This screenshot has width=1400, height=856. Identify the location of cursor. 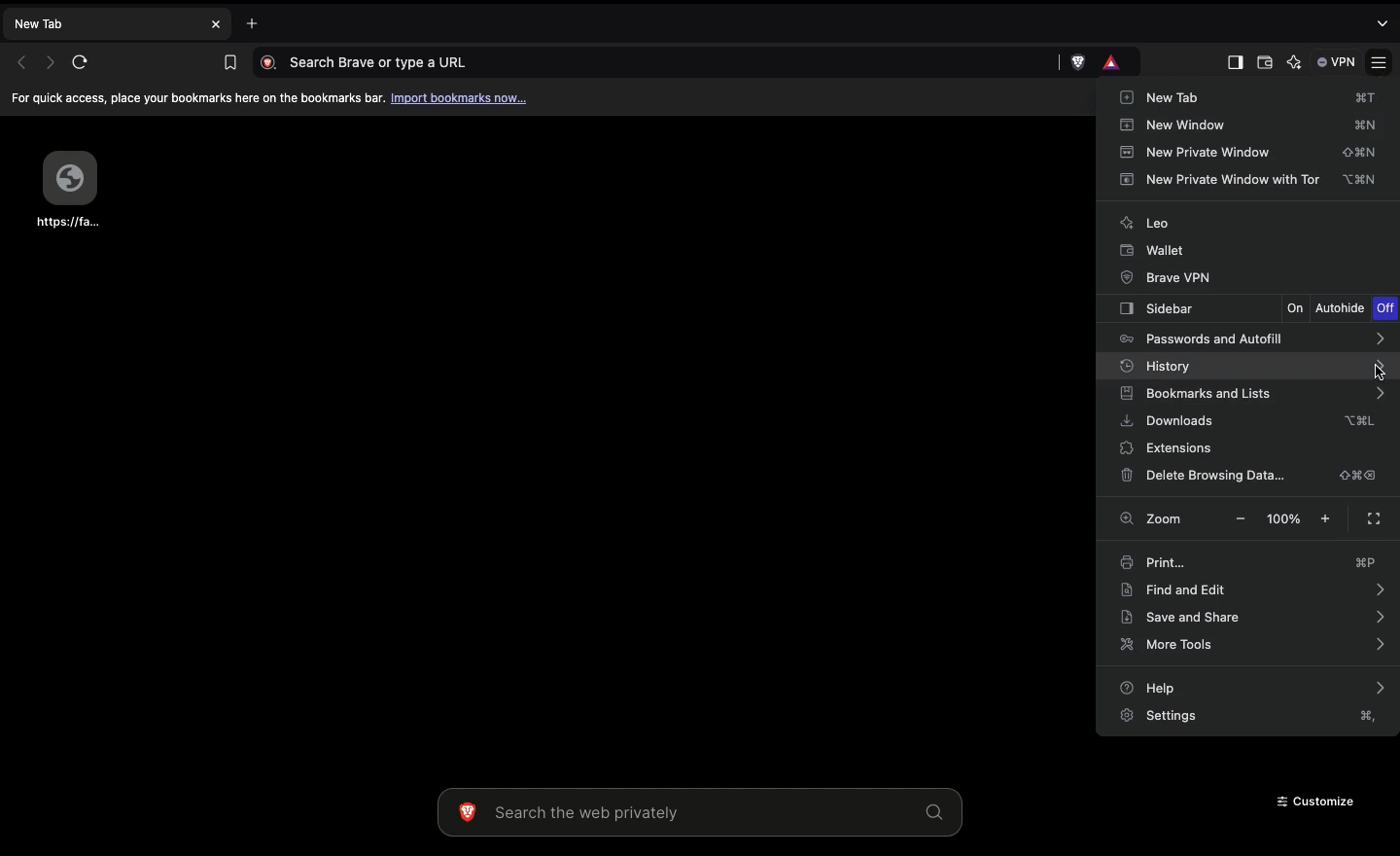
(1376, 374).